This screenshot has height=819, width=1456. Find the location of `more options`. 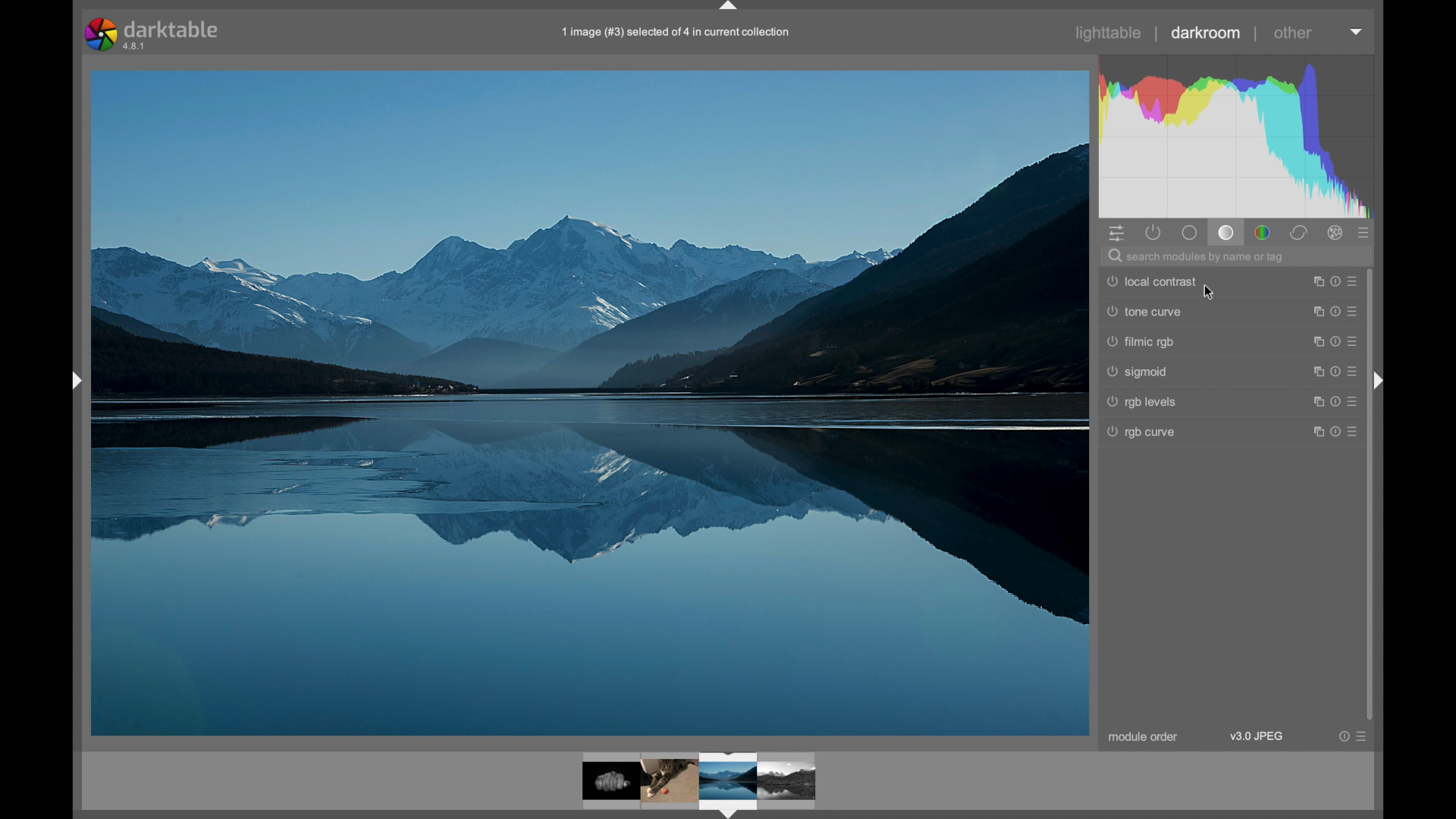

more options is located at coordinates (1335, 372).